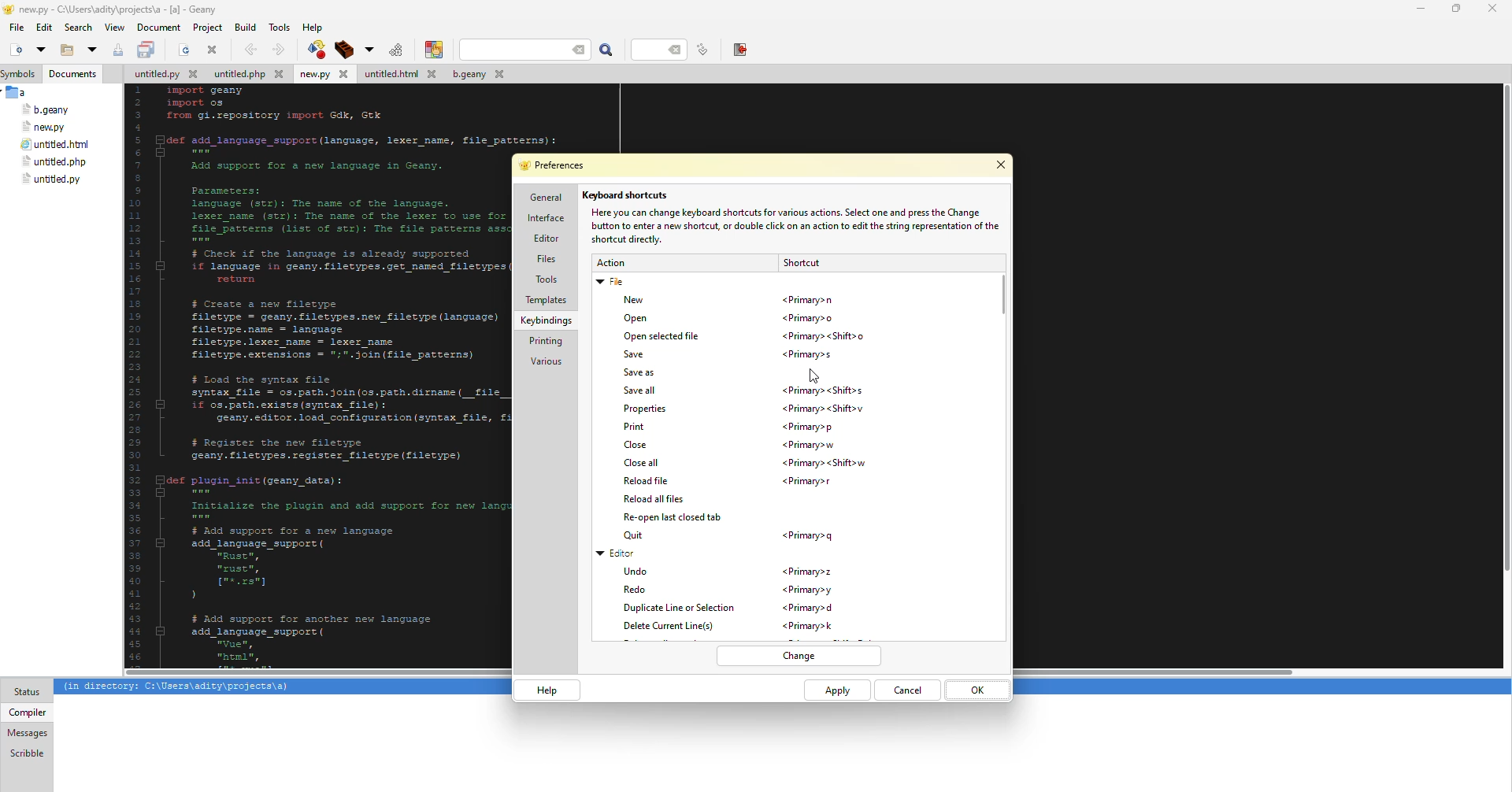  I want to click on save as, so click(643, 372).